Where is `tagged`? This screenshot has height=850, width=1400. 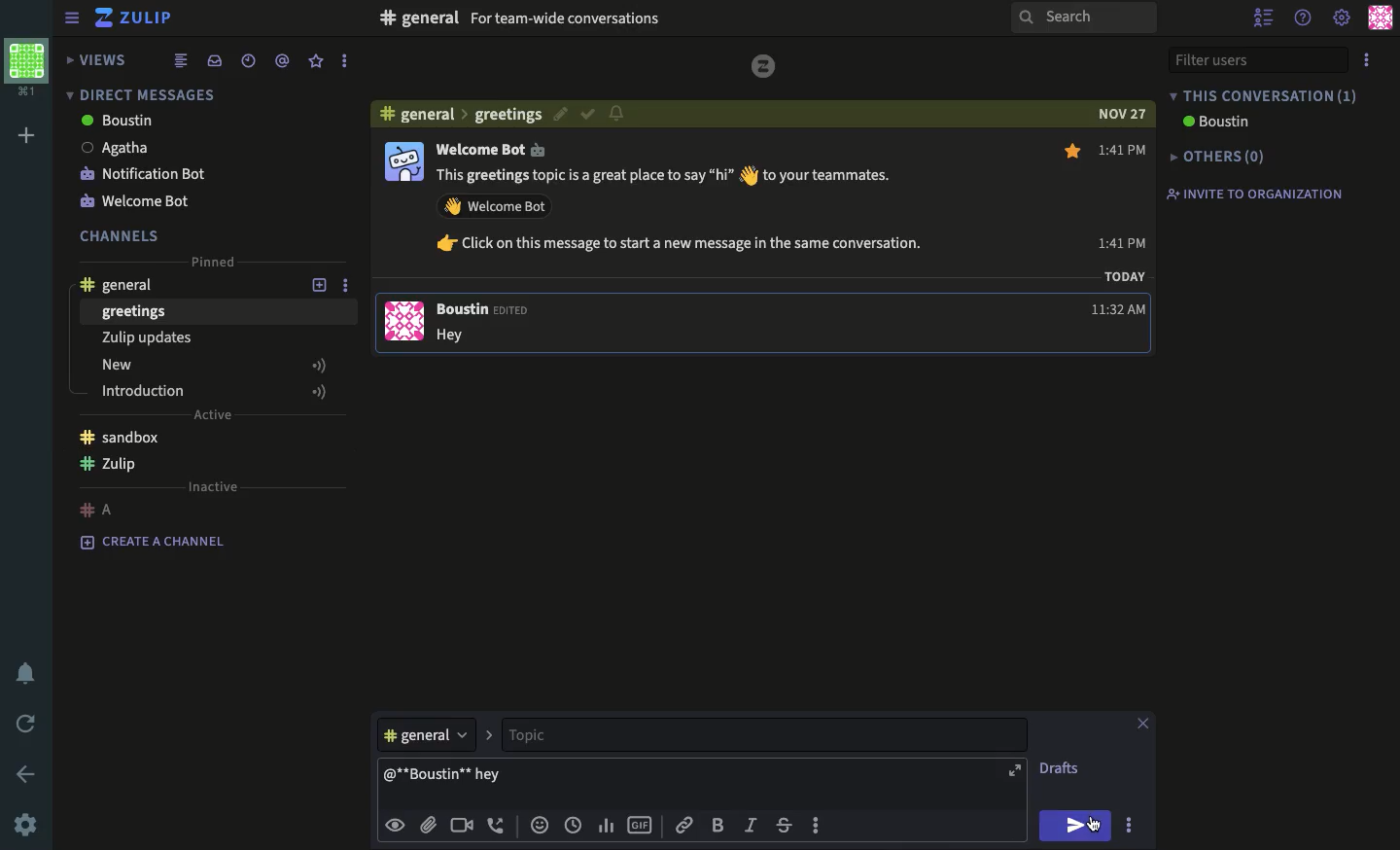
tagged is located at coordinates (281, 60).